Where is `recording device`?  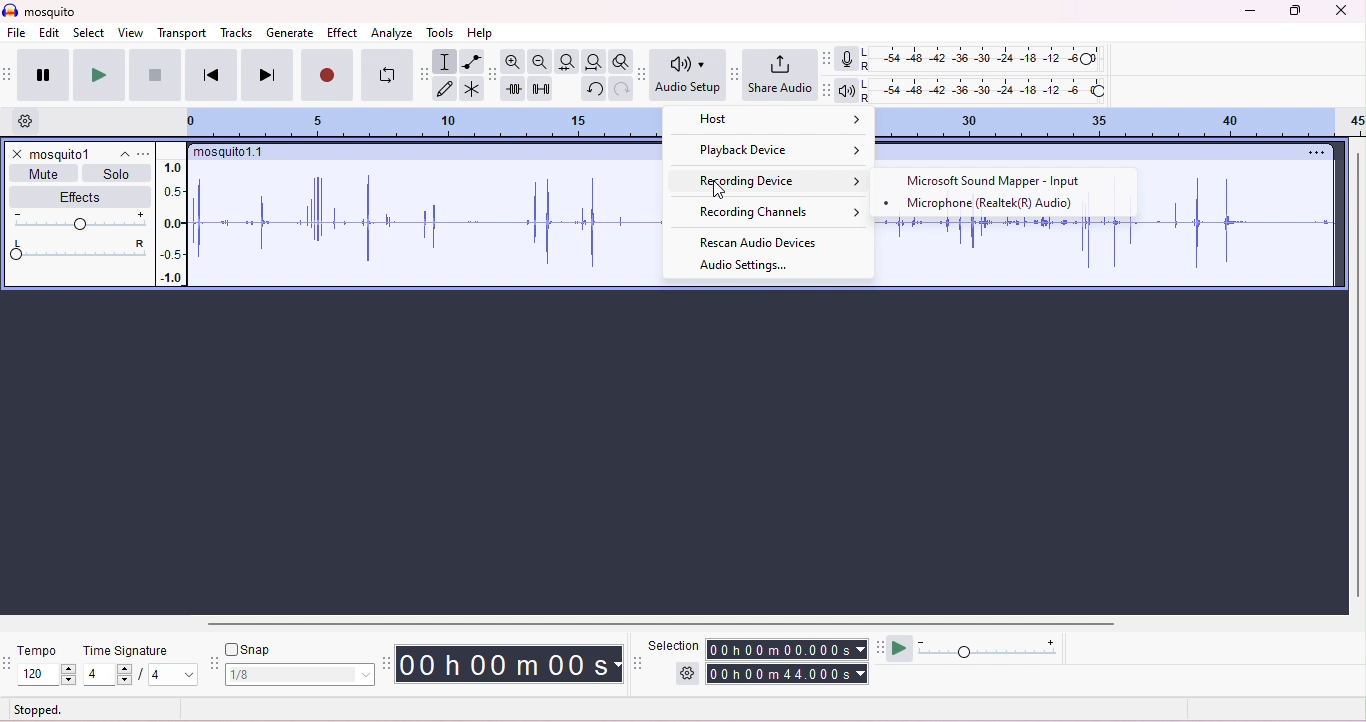
recording device is located at coordinates (775, 180).